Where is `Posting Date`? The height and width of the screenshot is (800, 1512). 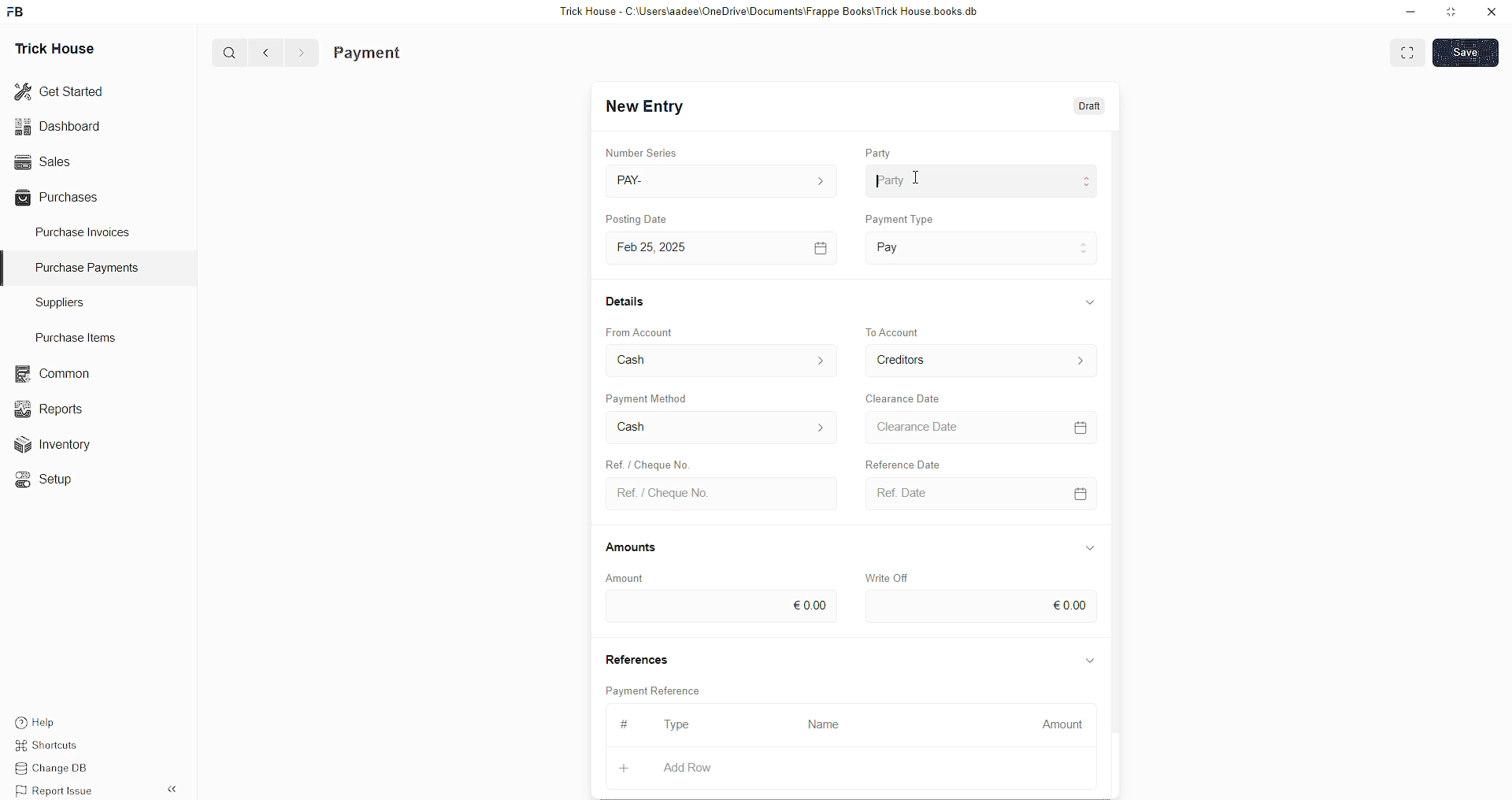 Posting Date is located at coordinates (647, 220).